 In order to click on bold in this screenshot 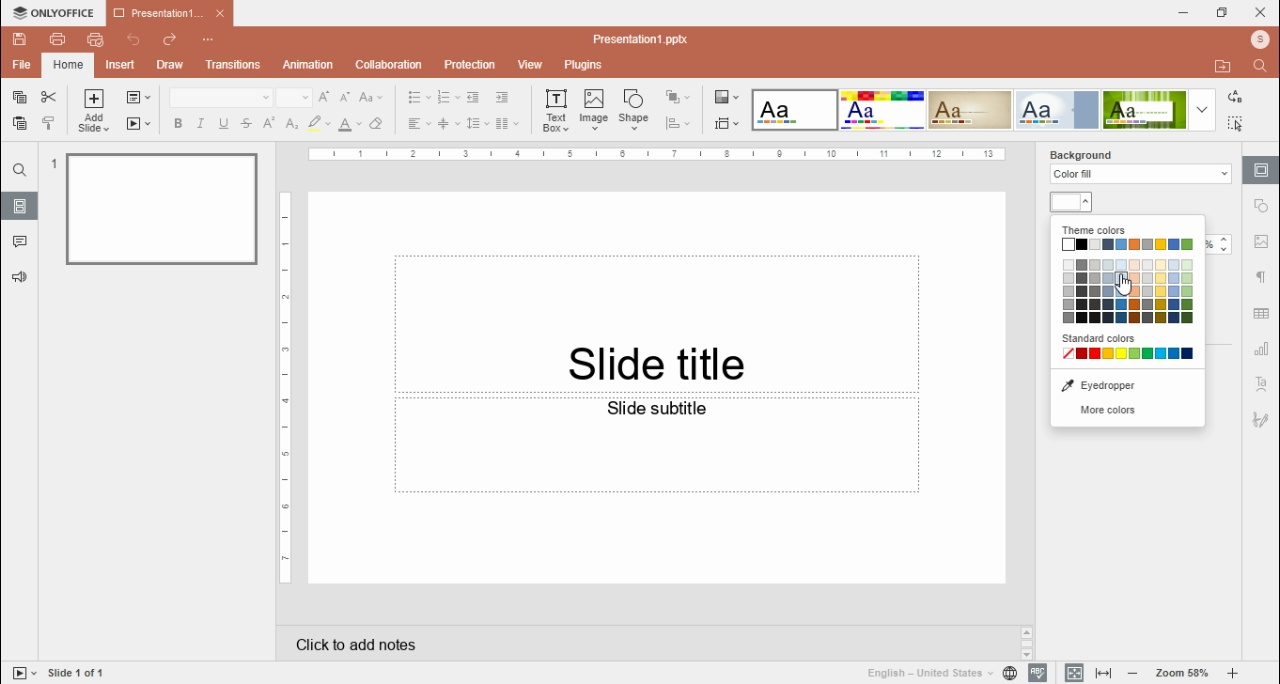, I will do `click(178, 124)`.